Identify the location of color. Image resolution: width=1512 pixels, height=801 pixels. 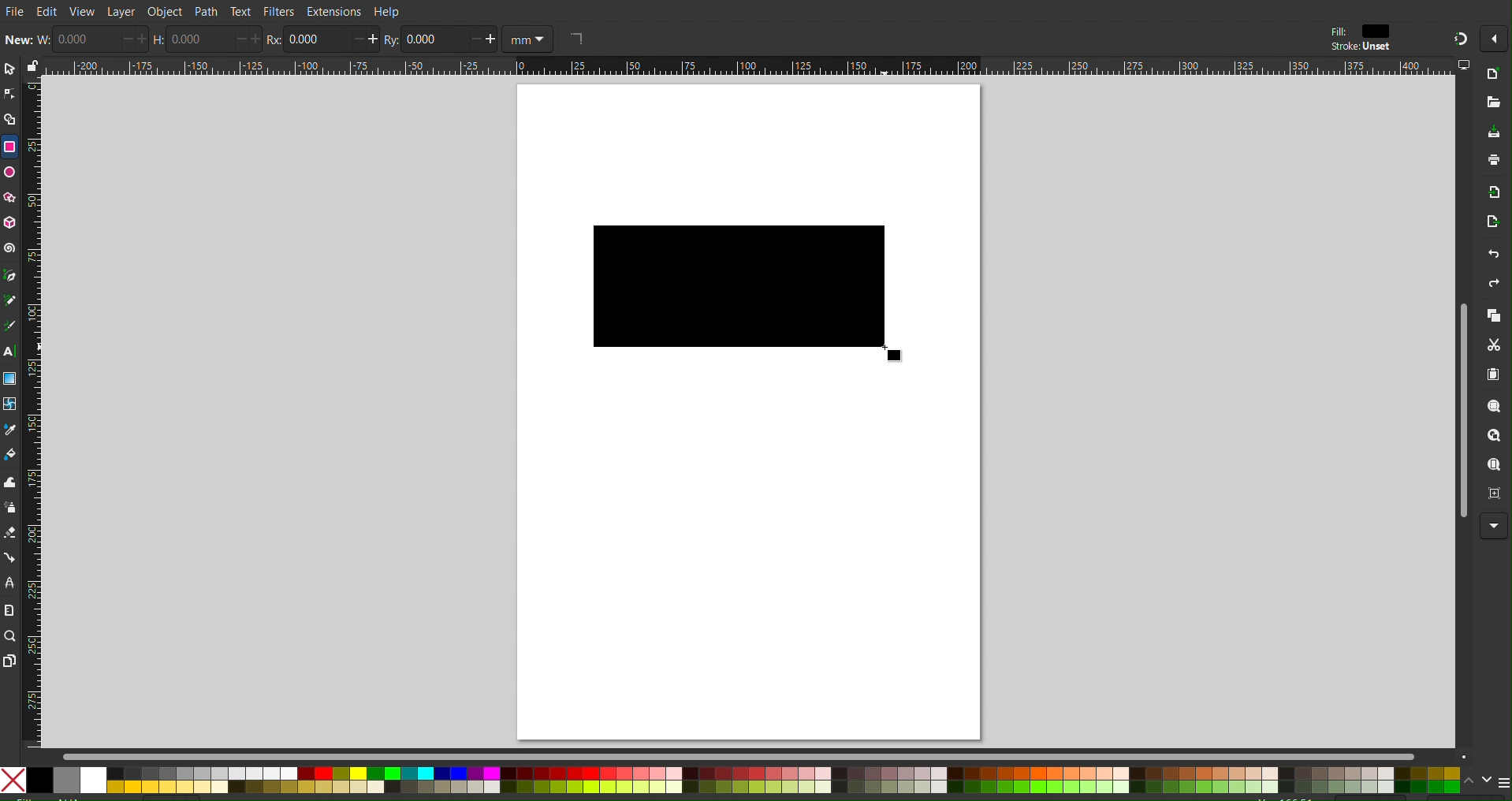
(1380, 31).